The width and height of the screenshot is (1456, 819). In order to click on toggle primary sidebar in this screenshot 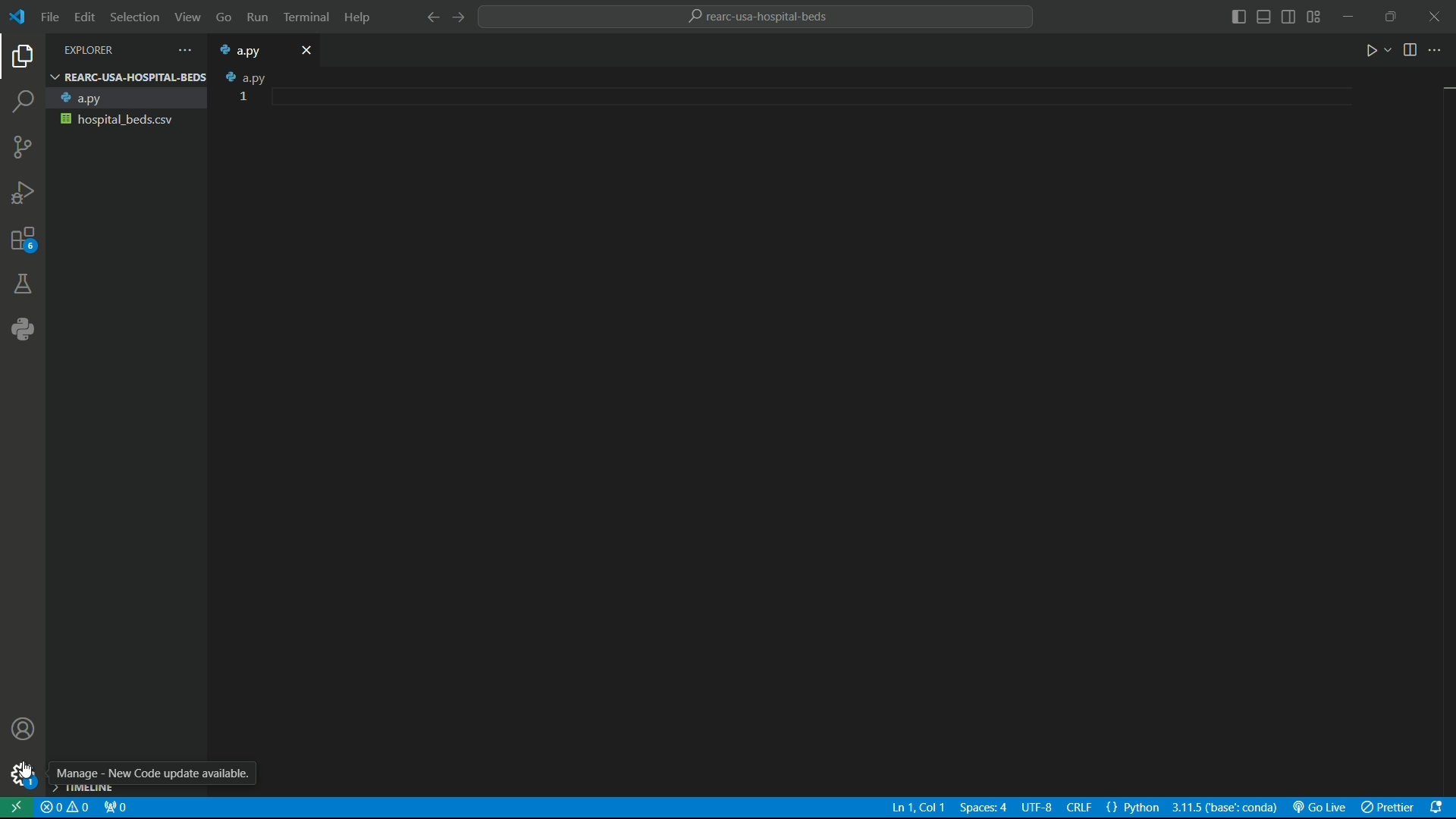, I will do `click(1238, 18)`.